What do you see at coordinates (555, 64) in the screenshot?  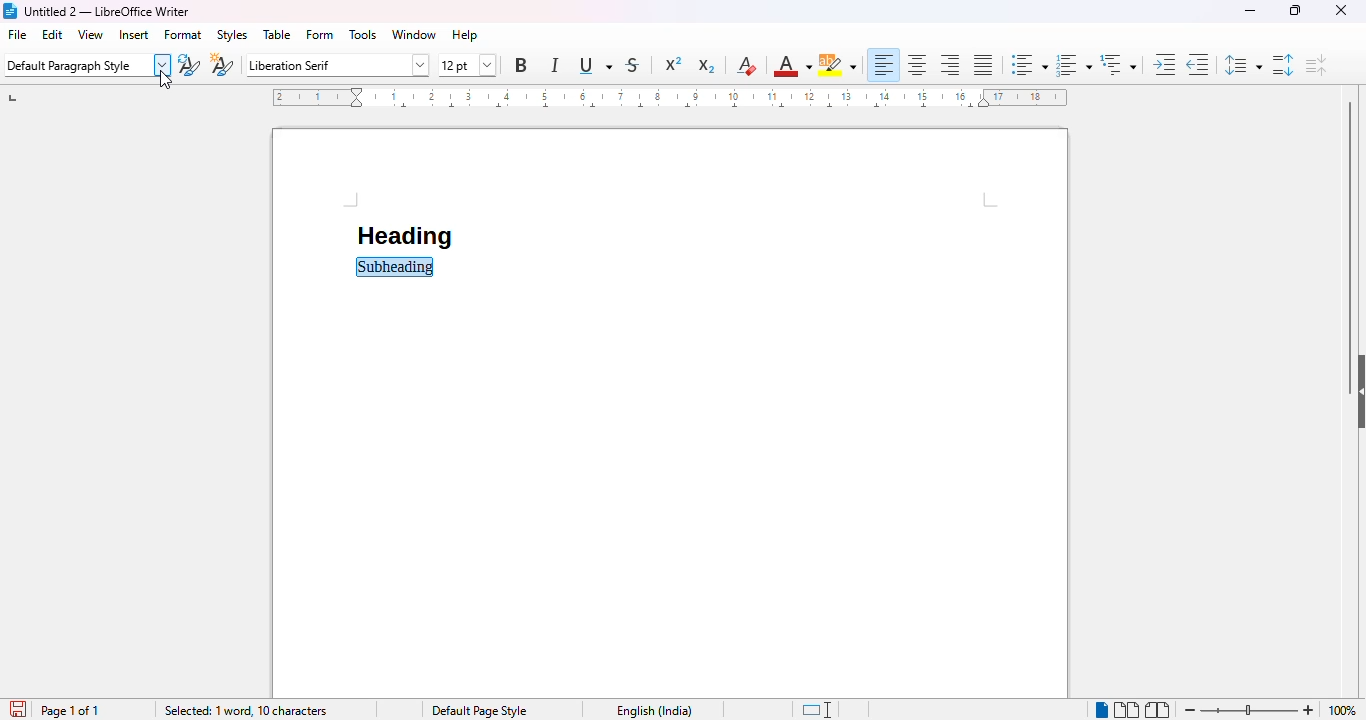 I see `italic` at bounding box center [555, 64].